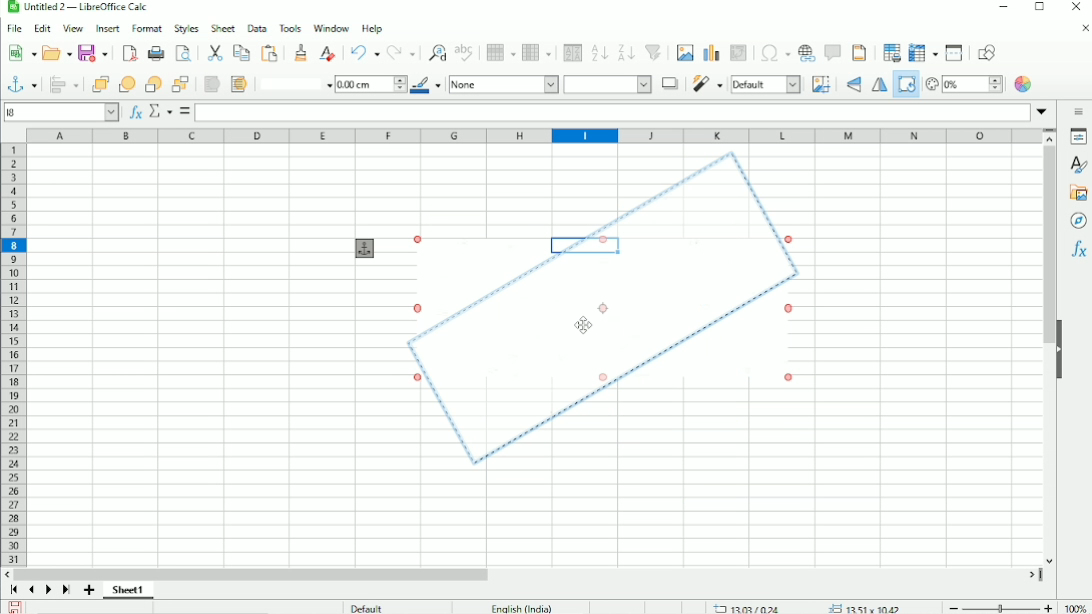 Image resolution: width=1092 pixels, height=614 pixels. Describe the element at coordinates (426, 84) in the screenshot. I see `Line color` at that location.